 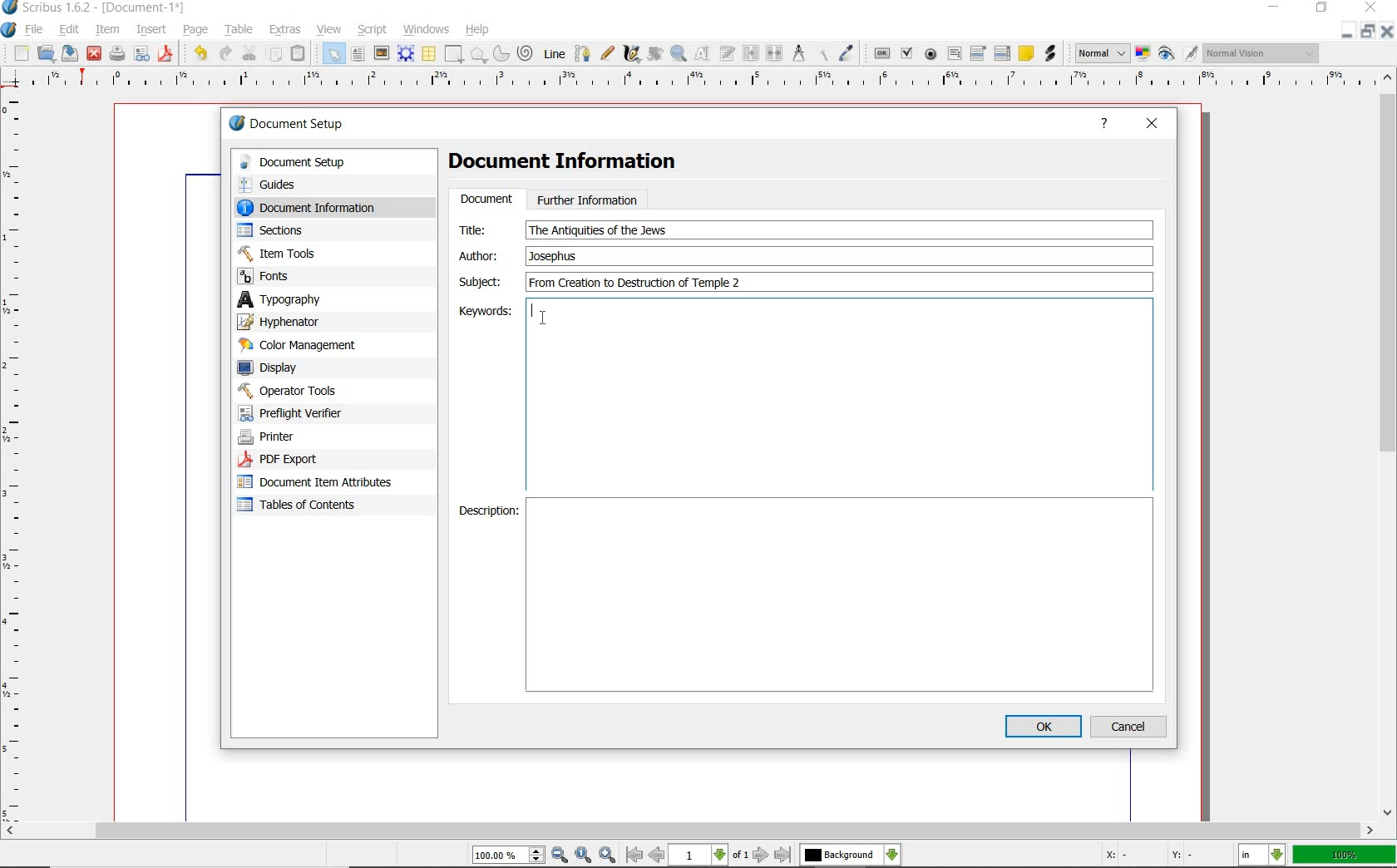 I want to click on subject, so click(x=837, y=282).